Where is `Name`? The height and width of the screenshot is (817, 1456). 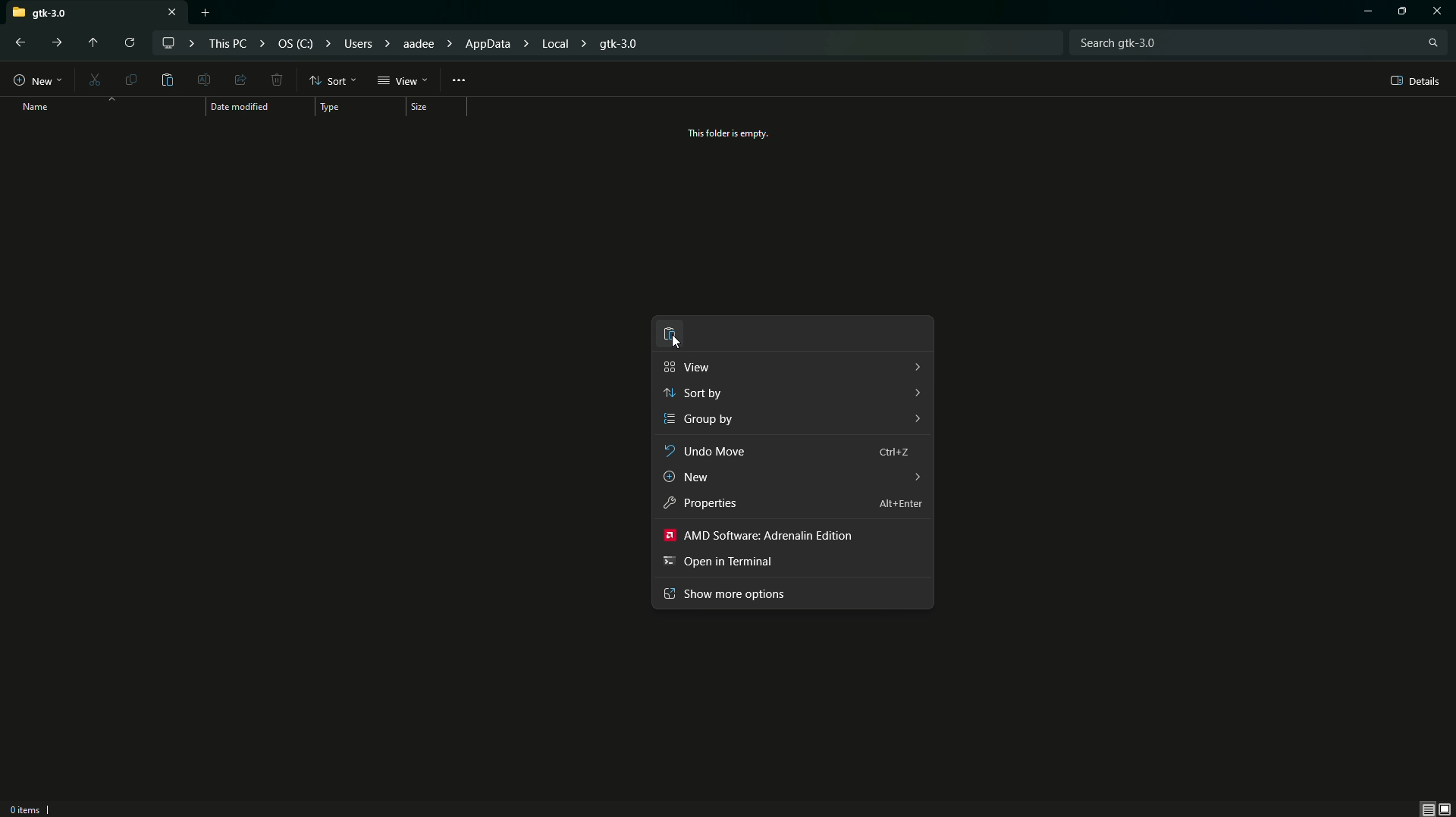 Name is located at coordinates (39, 107).